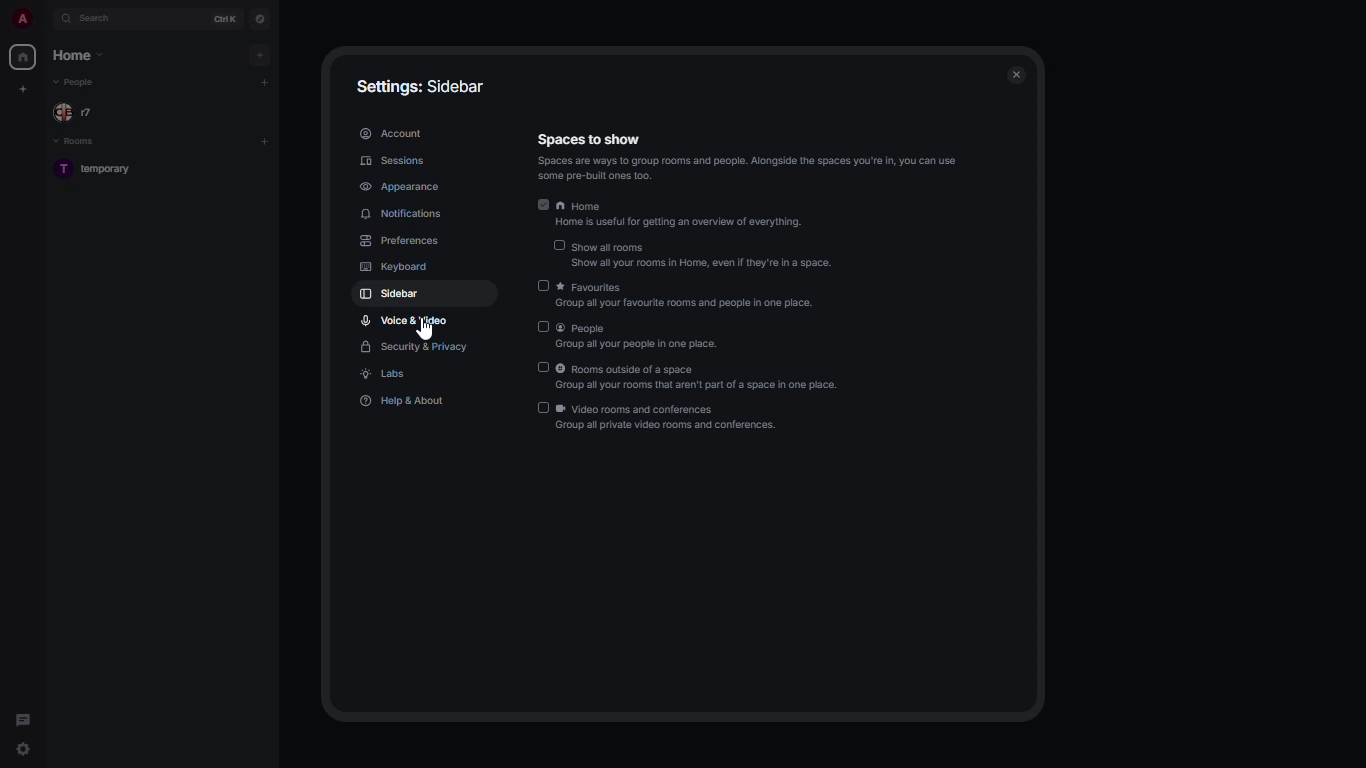  I want to click on rooms, so click(80, 140).